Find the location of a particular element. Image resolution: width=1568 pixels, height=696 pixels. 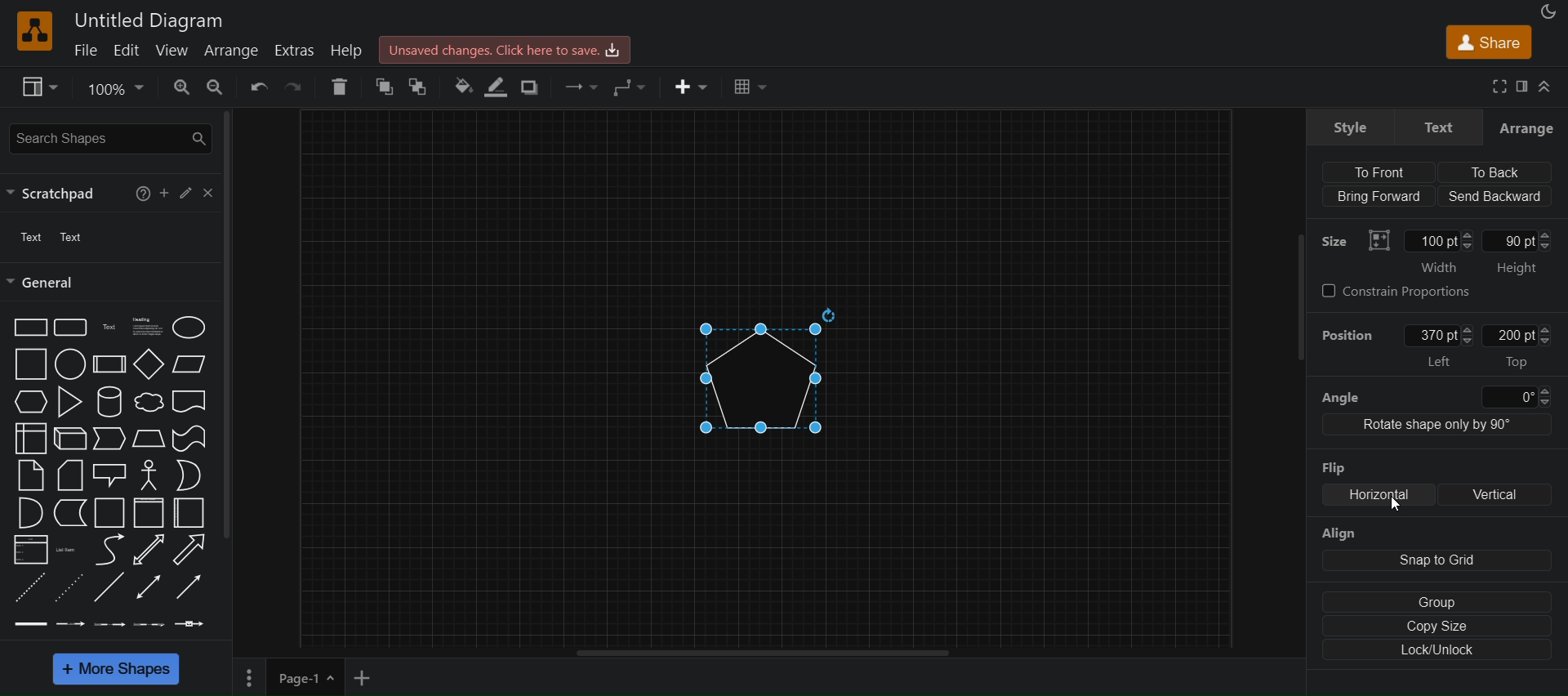

Line is located at coordinates (109, 587).